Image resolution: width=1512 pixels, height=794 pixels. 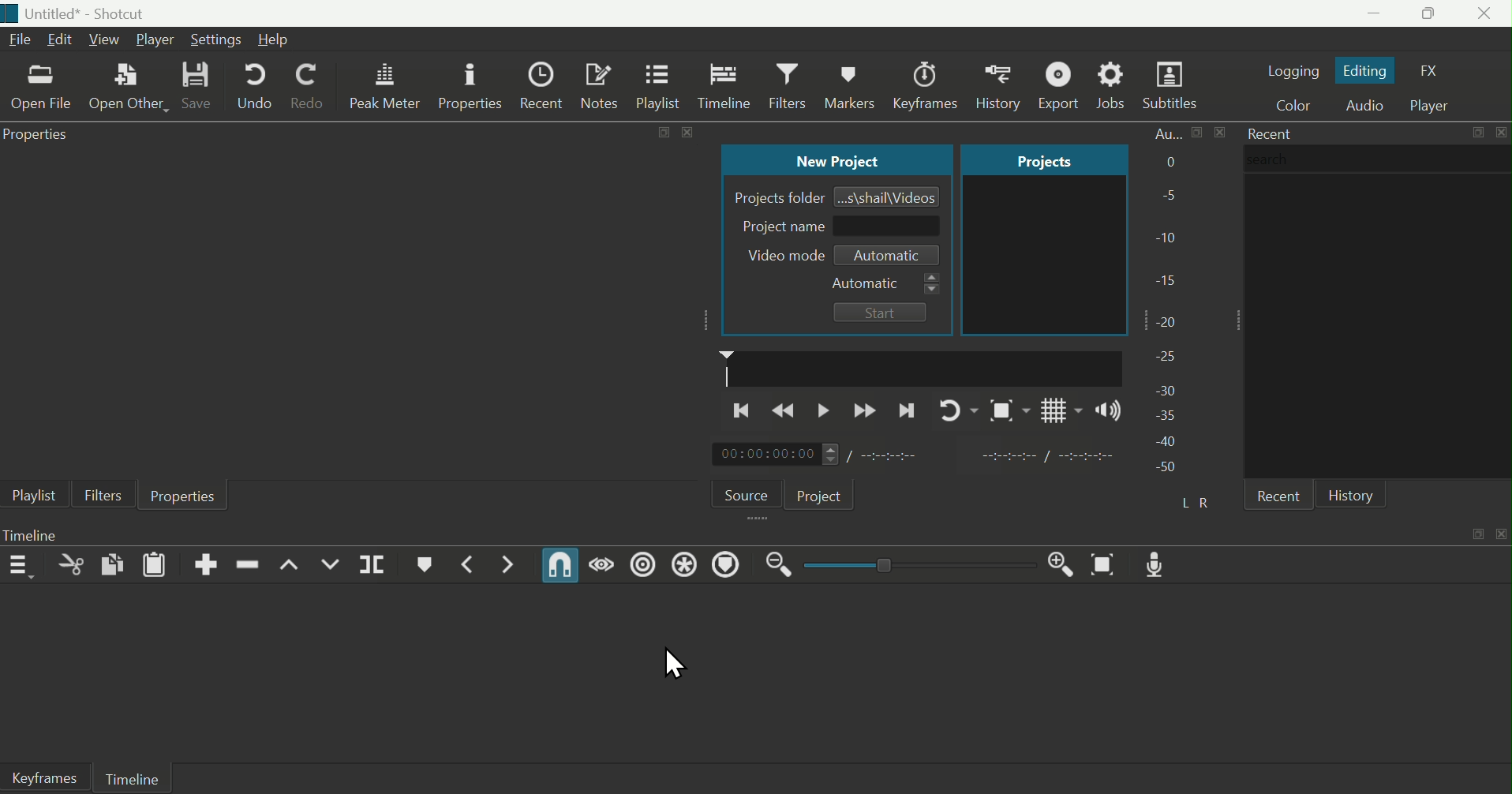 I want to click on Snap, so click(x=560, y=566).